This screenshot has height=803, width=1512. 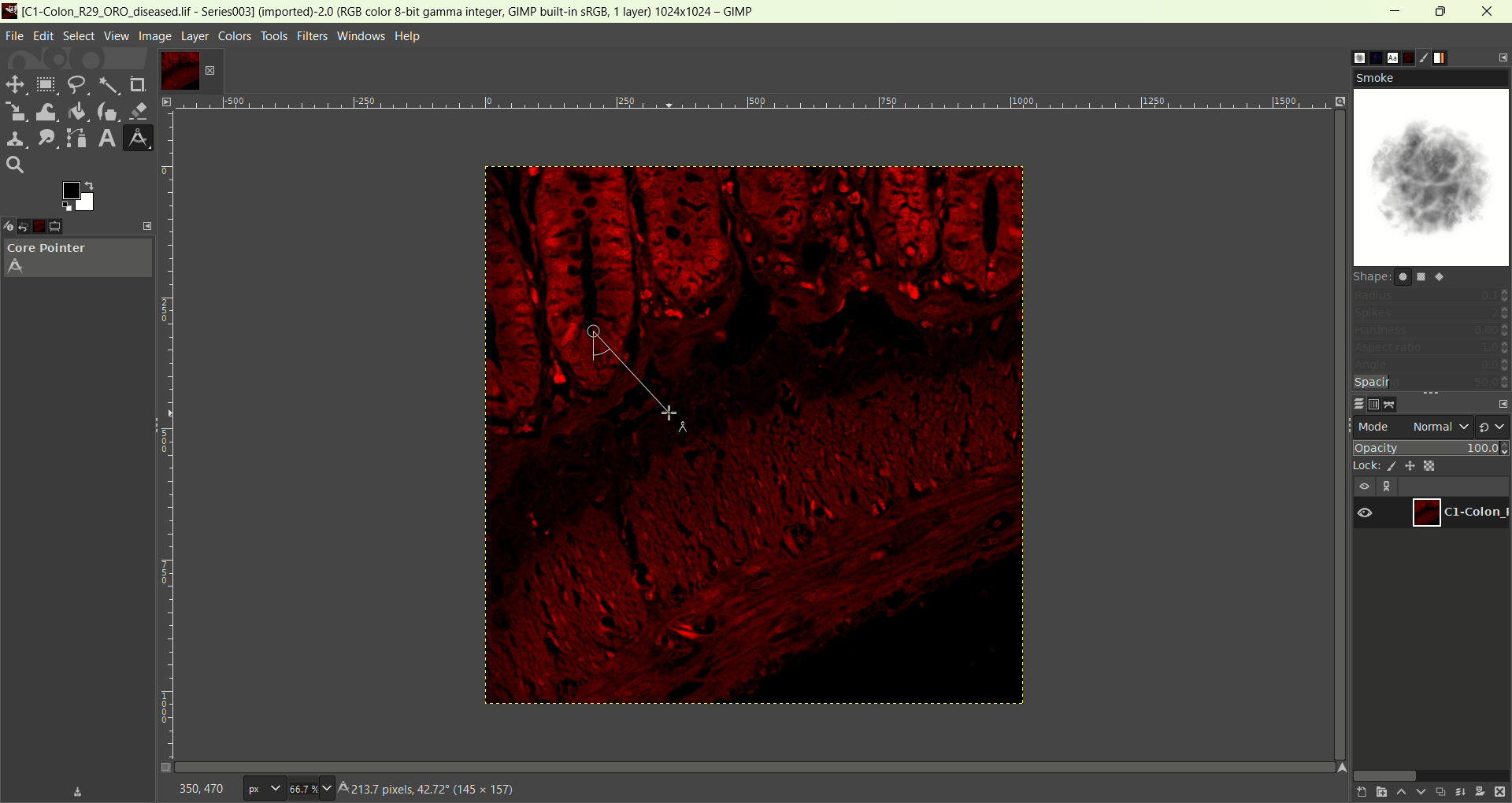 What do you see at coordinates (1366, 514) in the screenshot?
I see `visibility` at bounding box center [1366, 514].